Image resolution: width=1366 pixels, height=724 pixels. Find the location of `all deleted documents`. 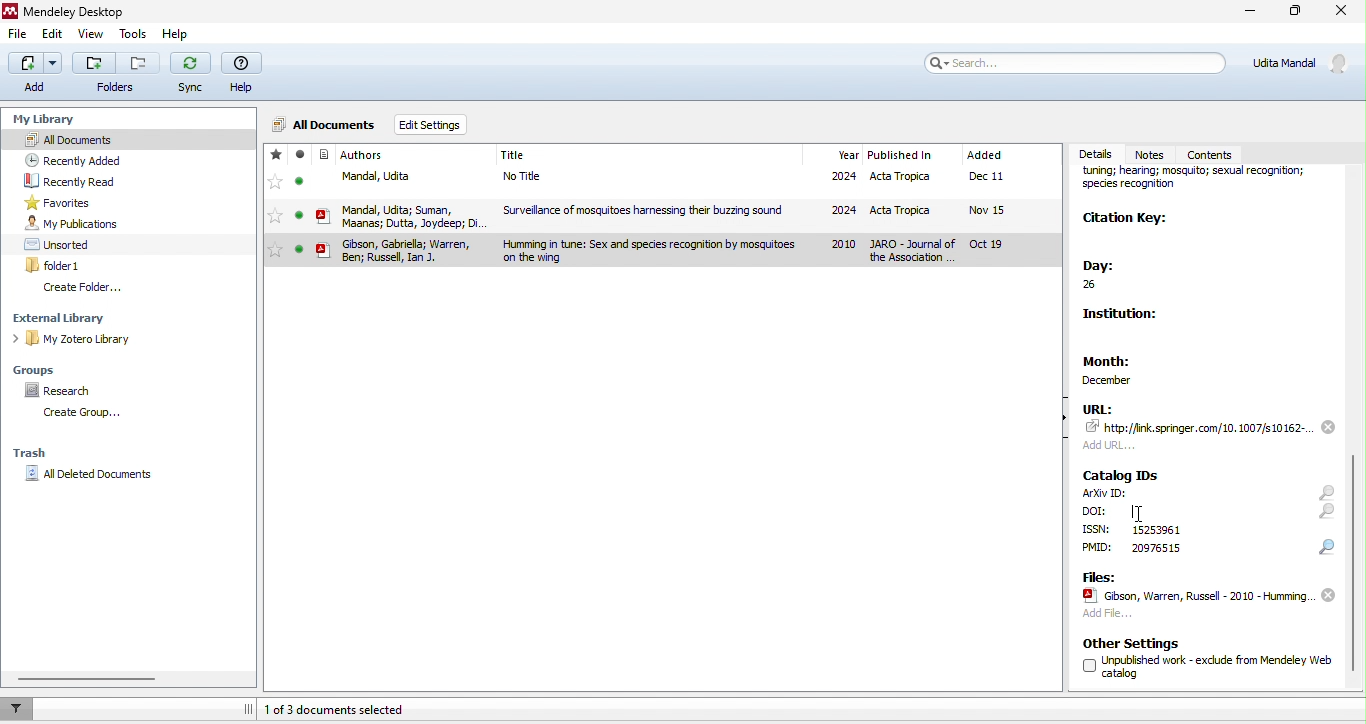

all deleted documents is located at coordinates (94, 475).